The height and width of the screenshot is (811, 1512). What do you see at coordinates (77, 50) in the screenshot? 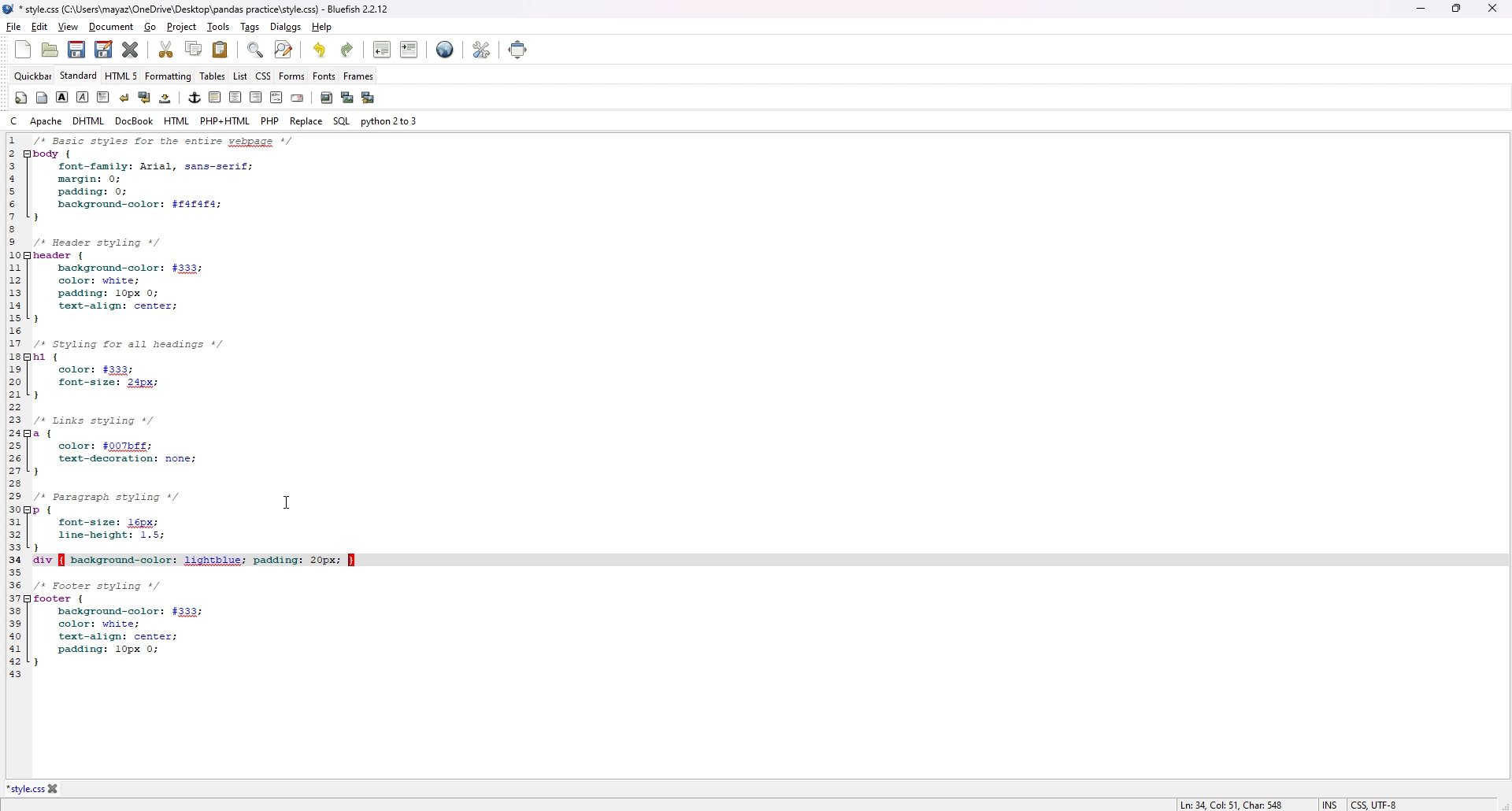
I see `save` at bounding box center [77, 50].